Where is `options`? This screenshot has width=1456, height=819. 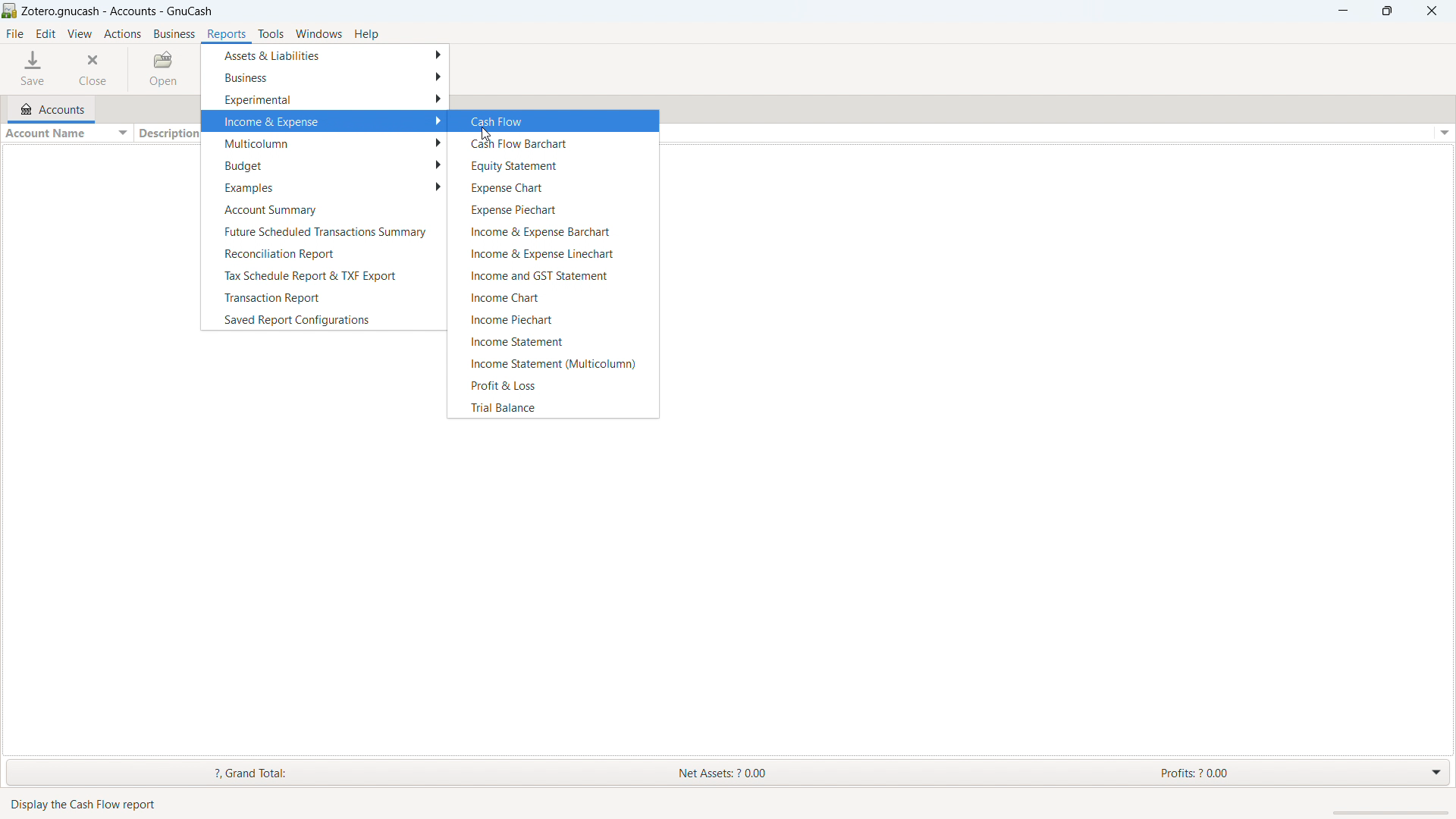
options is located at coordinates (1442, 133).